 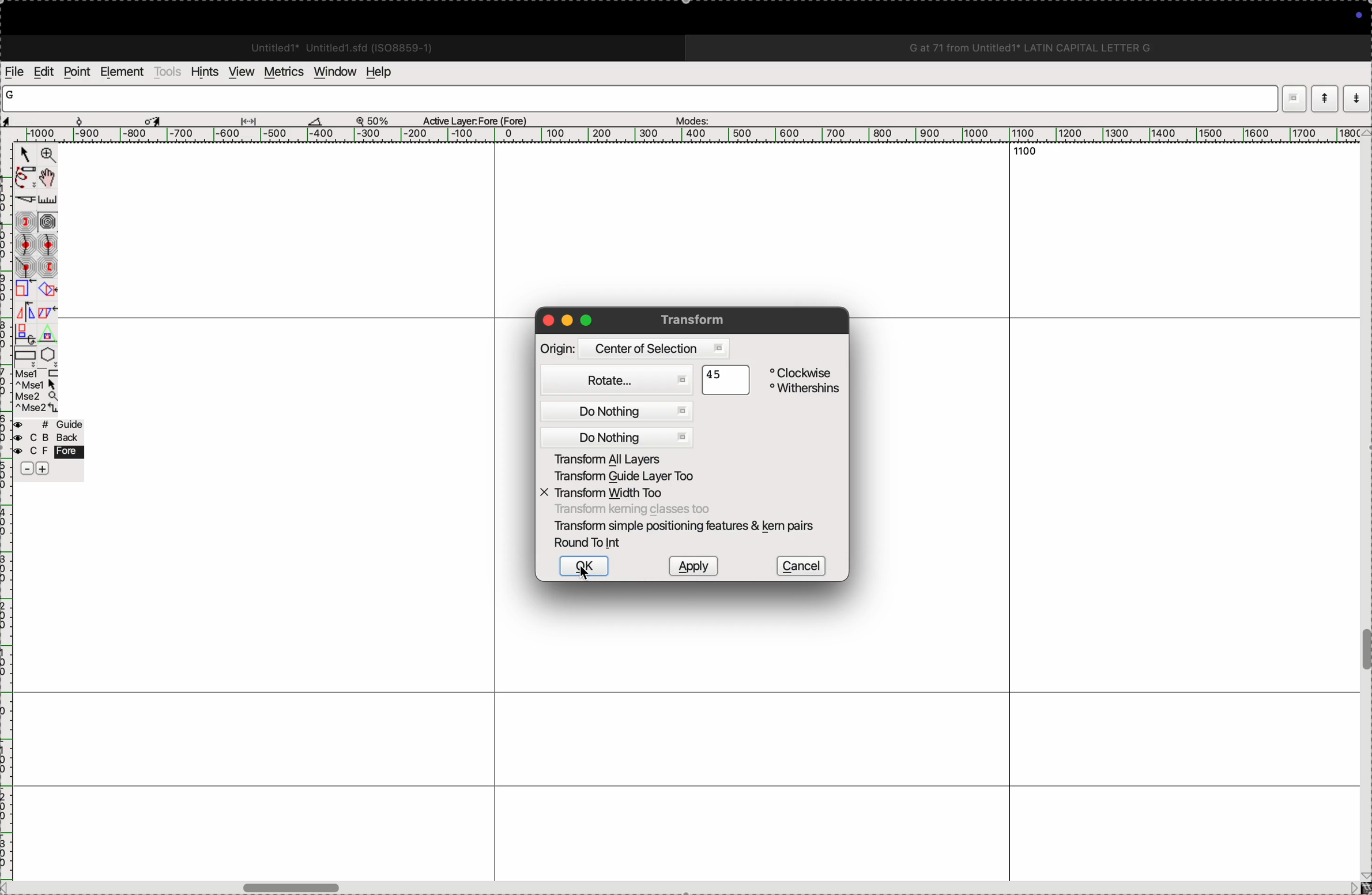 I want to click on 3D rotate, so click(x=25, y=334).